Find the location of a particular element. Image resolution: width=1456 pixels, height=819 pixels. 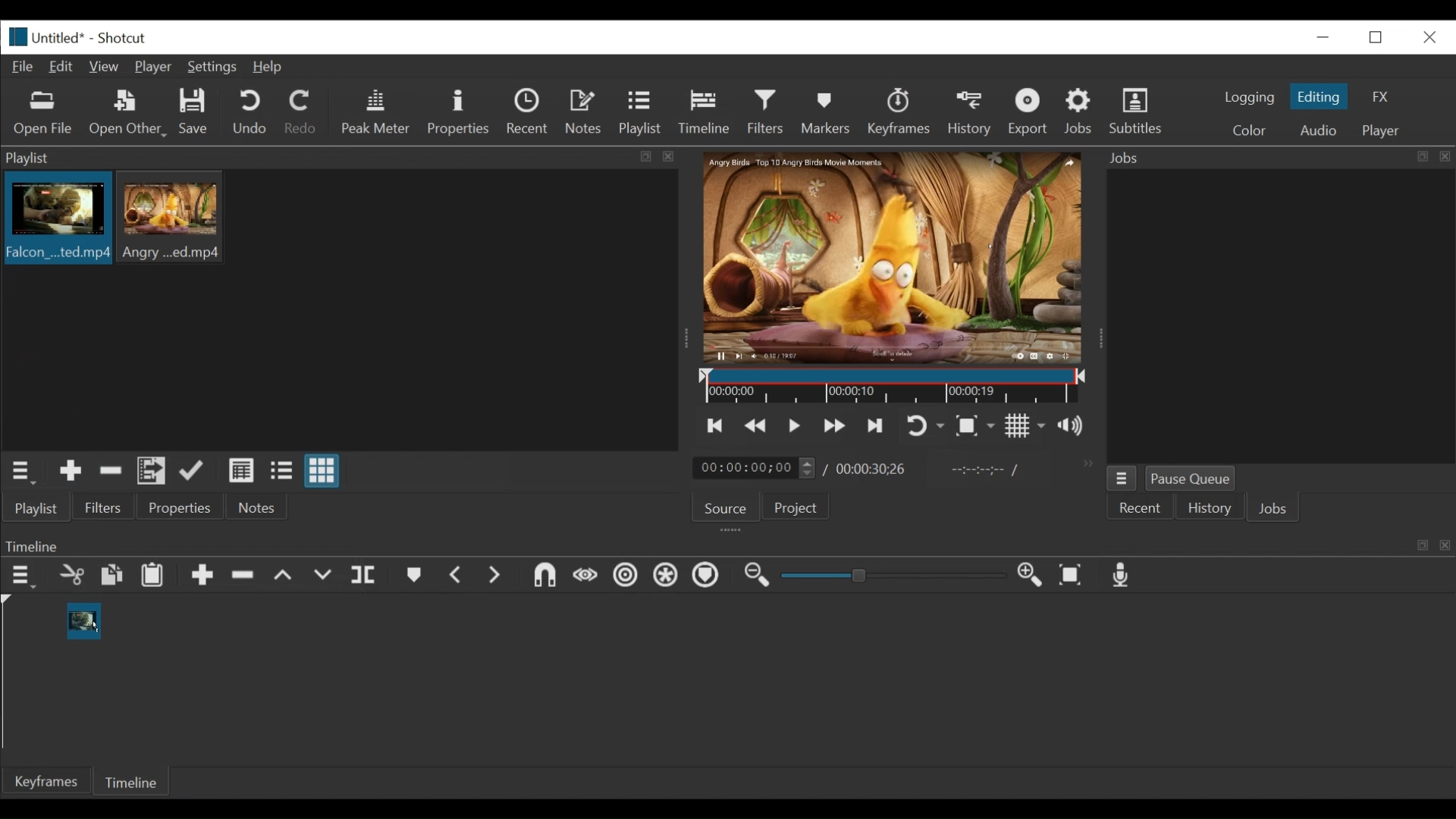

Project is located at coordinates (793, 510).